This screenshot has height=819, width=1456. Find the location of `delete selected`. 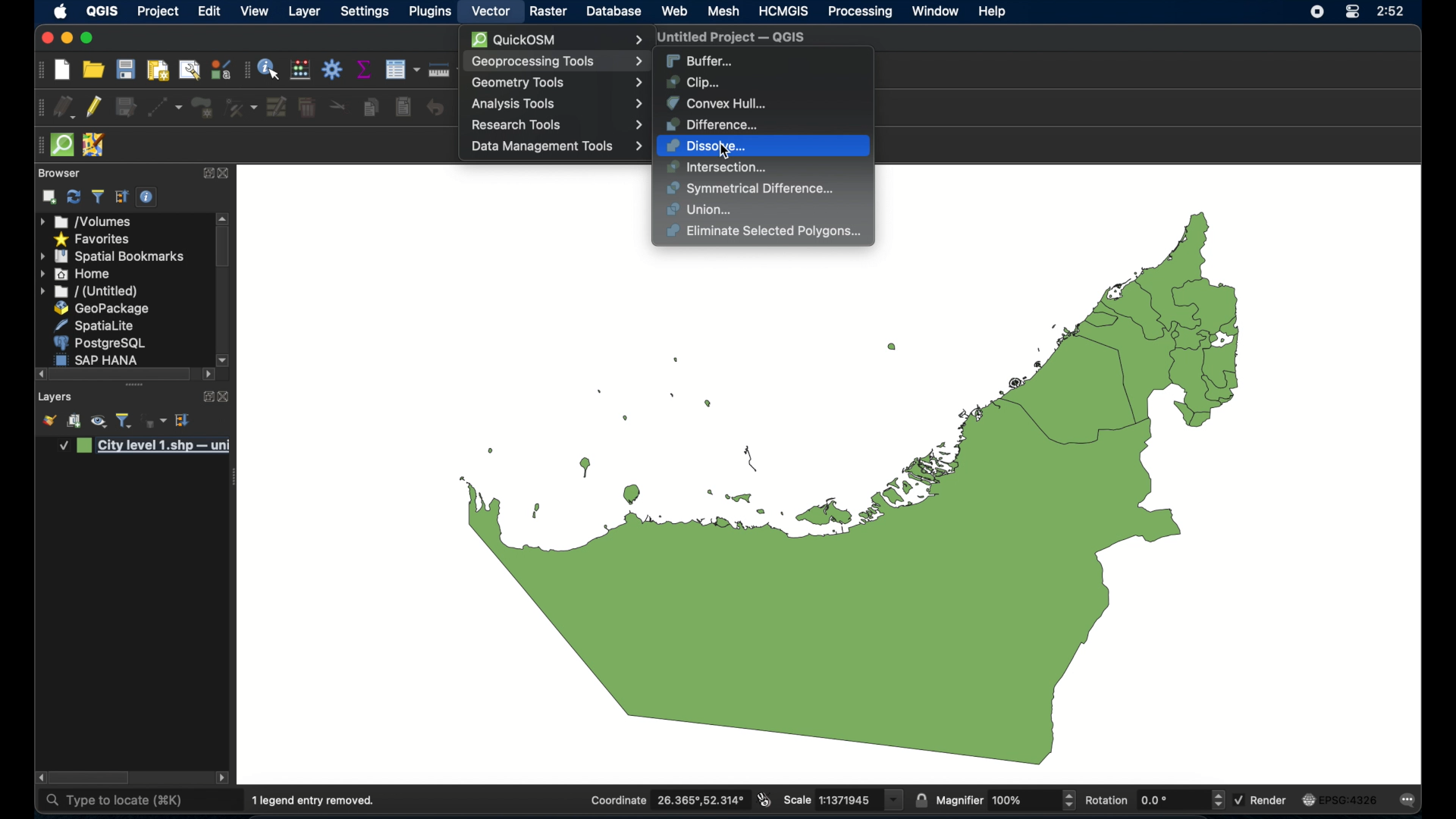

delete selected is located at coordinates (306, 108).